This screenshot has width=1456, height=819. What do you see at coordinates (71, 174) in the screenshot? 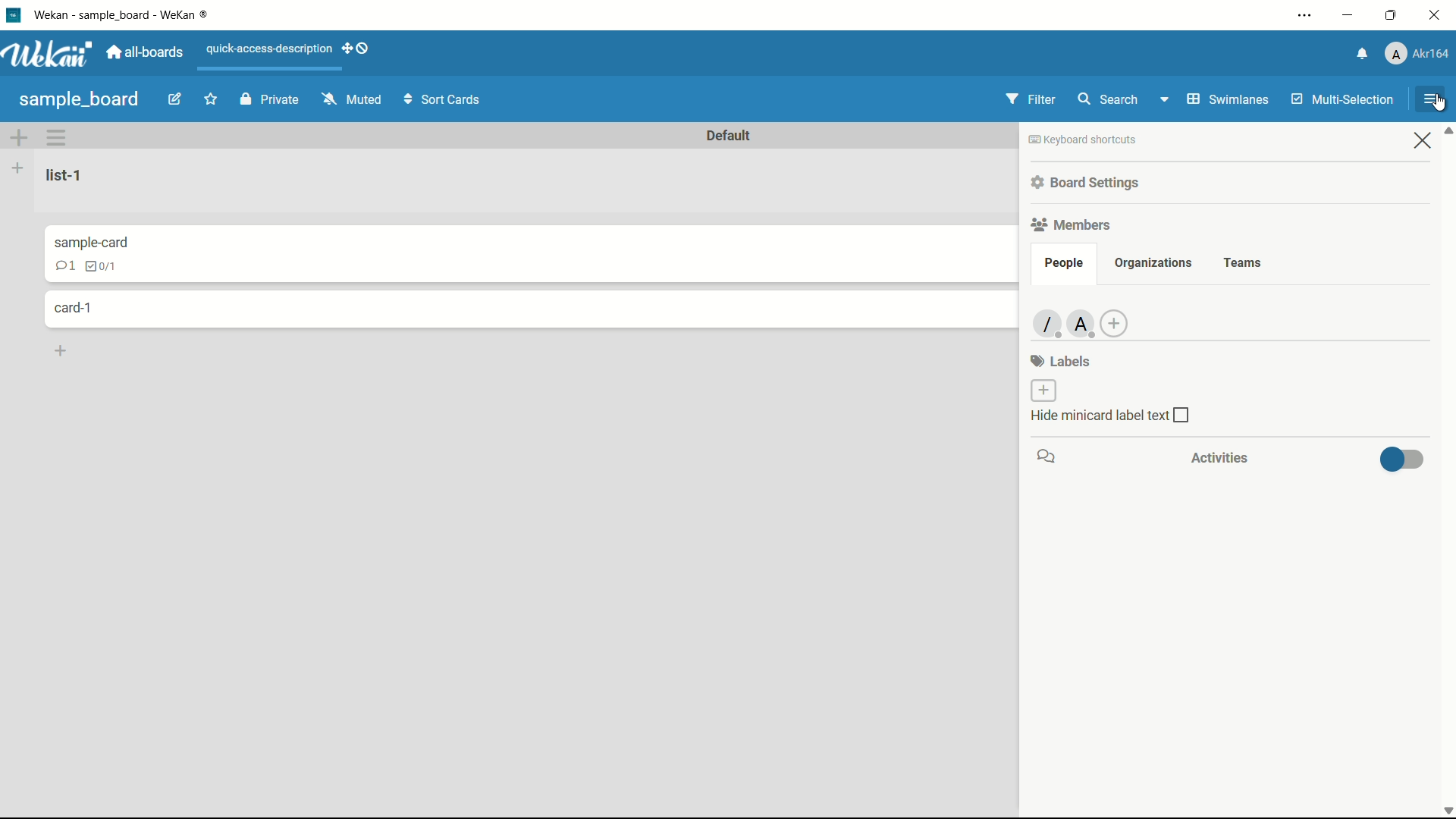
I see `list-1` at bounding box center [71, 174].